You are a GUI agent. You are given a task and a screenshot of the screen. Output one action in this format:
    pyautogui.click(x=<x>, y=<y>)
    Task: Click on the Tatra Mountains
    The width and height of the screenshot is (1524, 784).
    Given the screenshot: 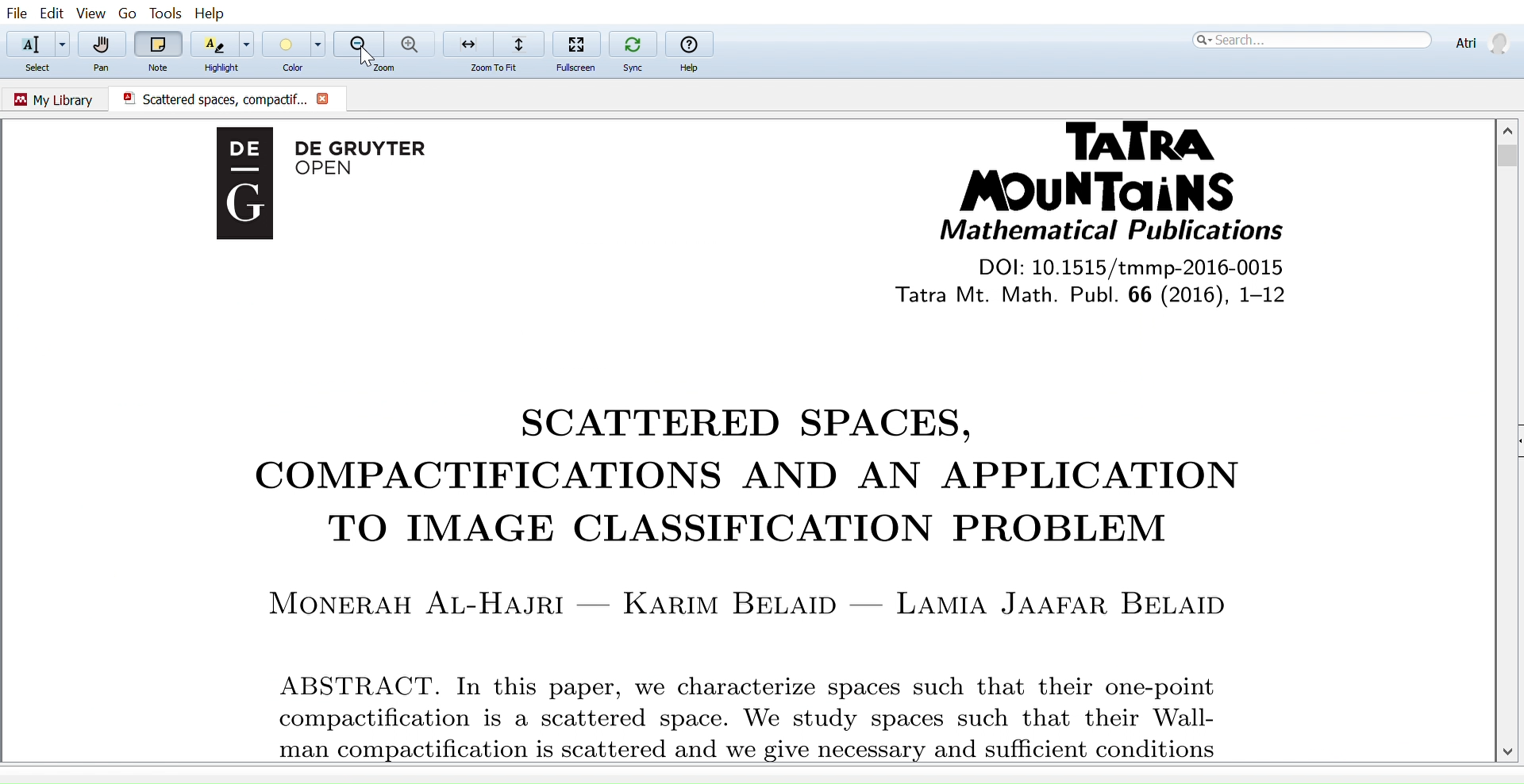 What is the action you would take?
    pyautogui.click(x=1080, y=167)
    